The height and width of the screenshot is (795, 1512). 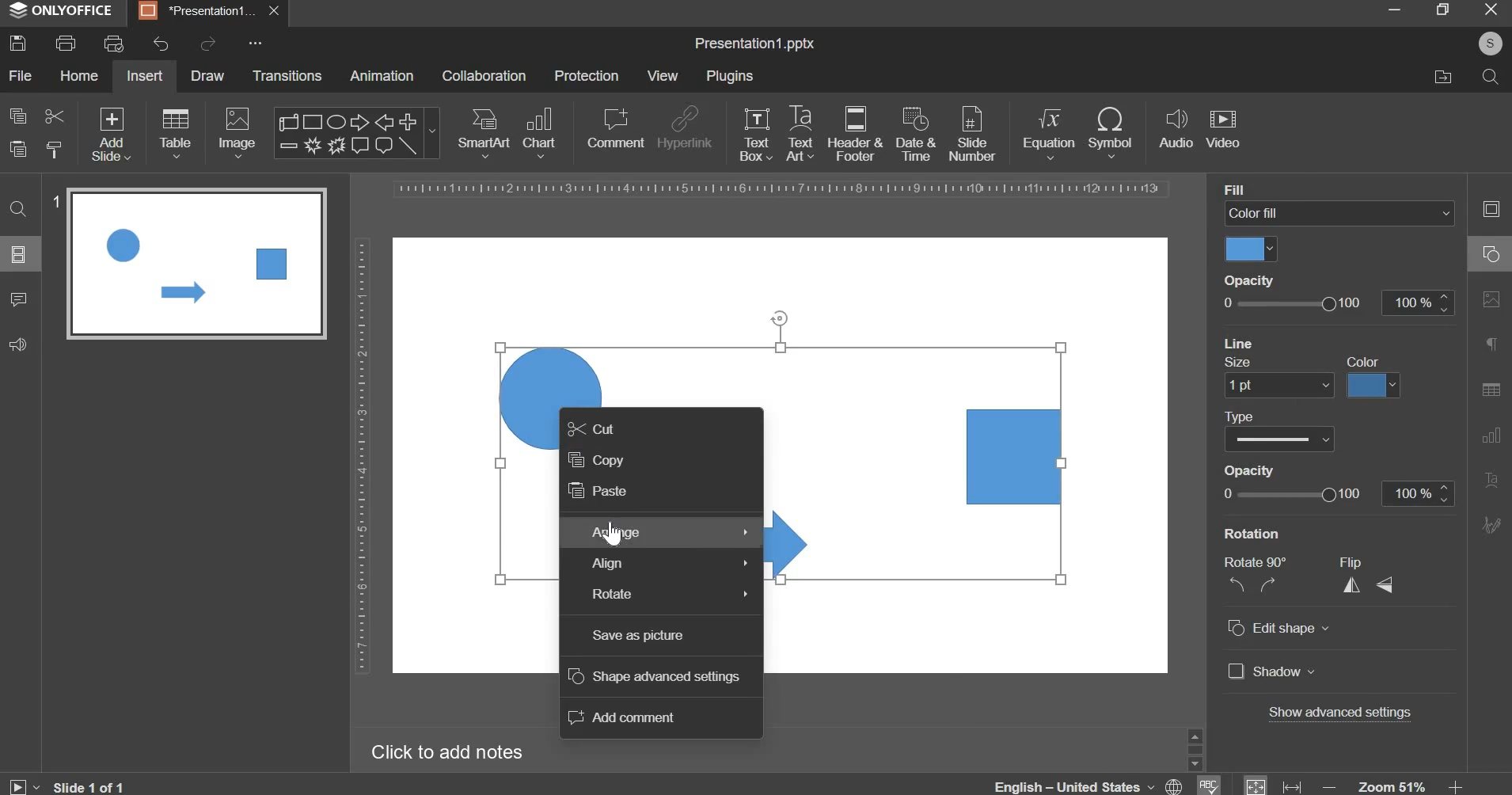 What do you see at coordinates (196, 263) in the screenshot?
I see `slide preview` at bounding box center [196, 263].